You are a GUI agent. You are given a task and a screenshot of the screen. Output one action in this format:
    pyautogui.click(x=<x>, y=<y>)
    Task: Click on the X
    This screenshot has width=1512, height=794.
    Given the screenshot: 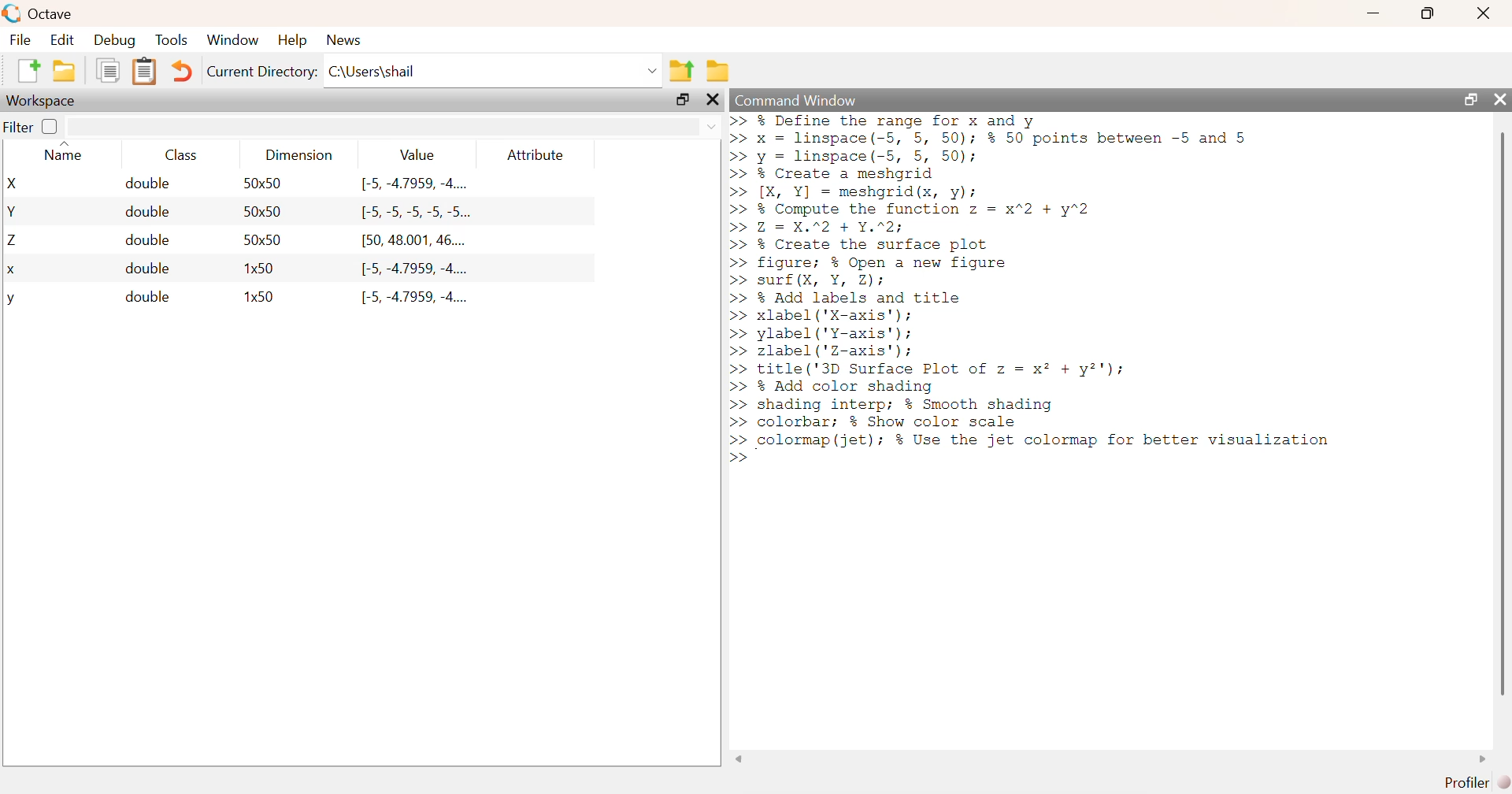 What is the action you would take?
    pyautogui.click(x=15, y=184)
    